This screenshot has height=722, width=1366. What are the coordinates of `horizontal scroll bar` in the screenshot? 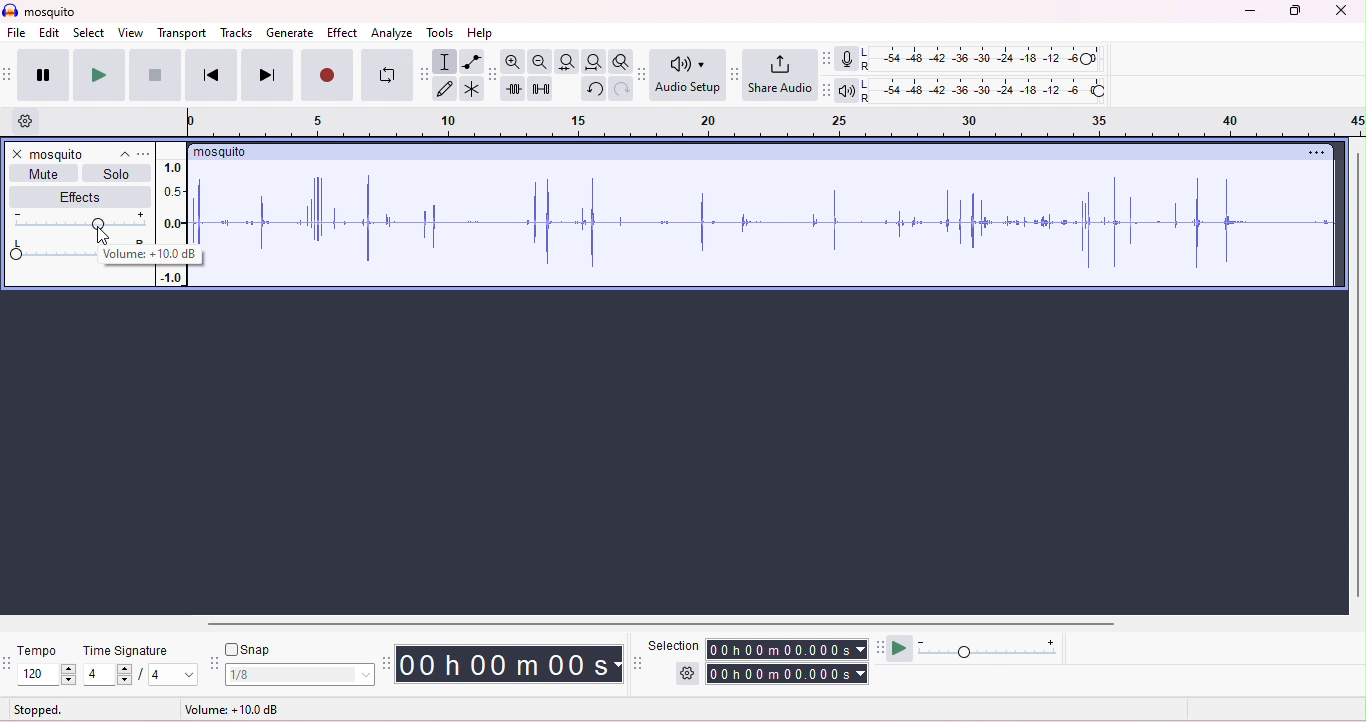 It's located at (654, 622).